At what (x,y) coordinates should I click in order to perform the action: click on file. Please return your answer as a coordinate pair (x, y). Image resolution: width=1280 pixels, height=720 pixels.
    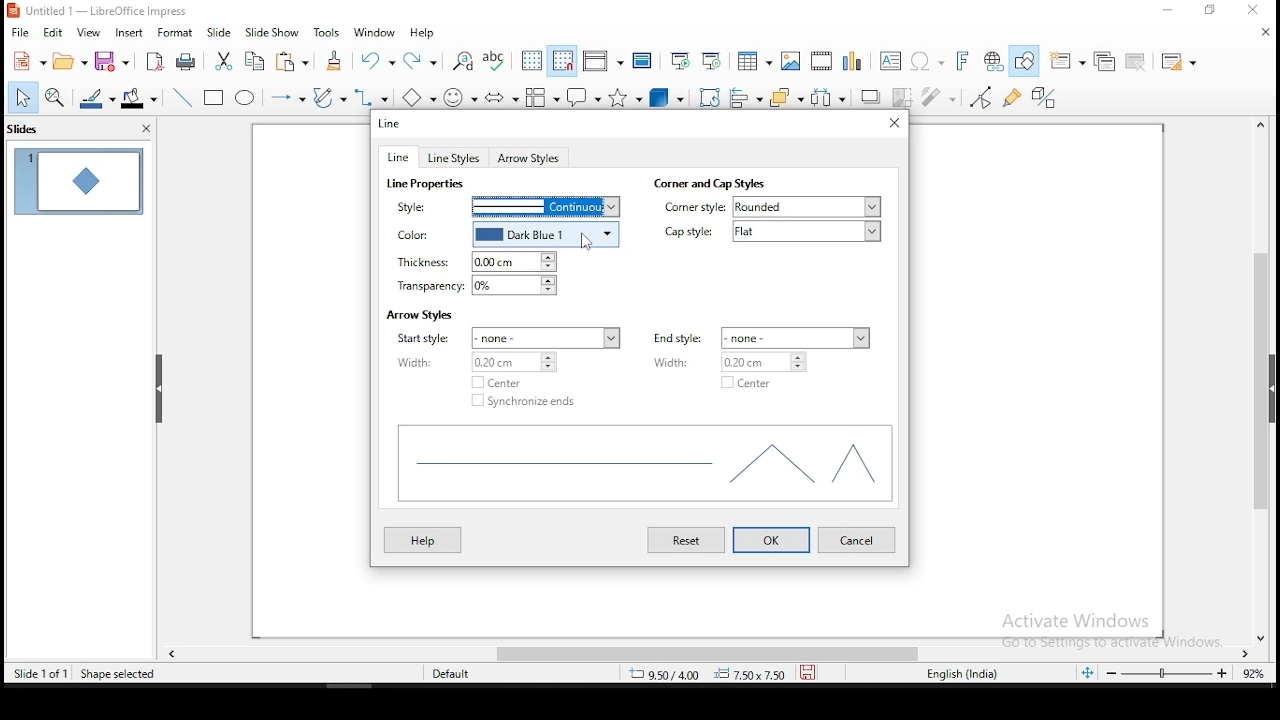
    Looking at the image, I should click on (20, 34).